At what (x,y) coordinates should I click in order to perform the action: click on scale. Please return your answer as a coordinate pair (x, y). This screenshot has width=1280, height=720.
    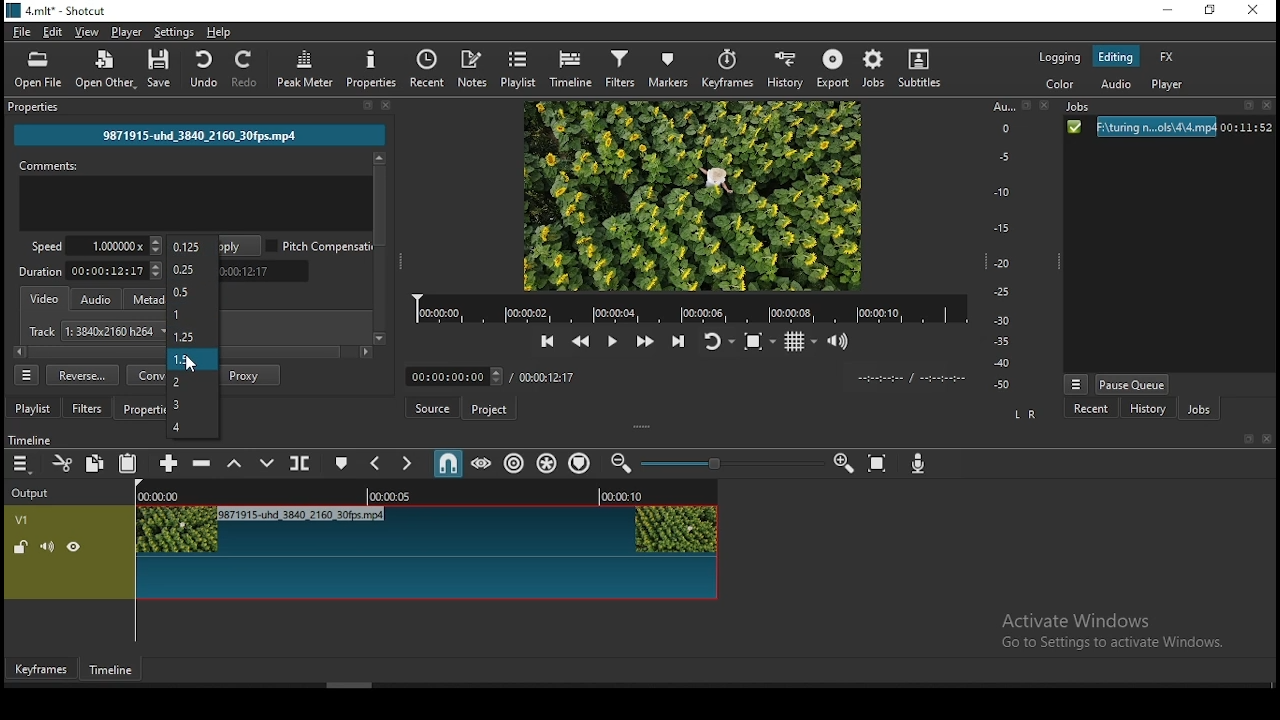
    Looking at the image, I should click on (1006, 247).